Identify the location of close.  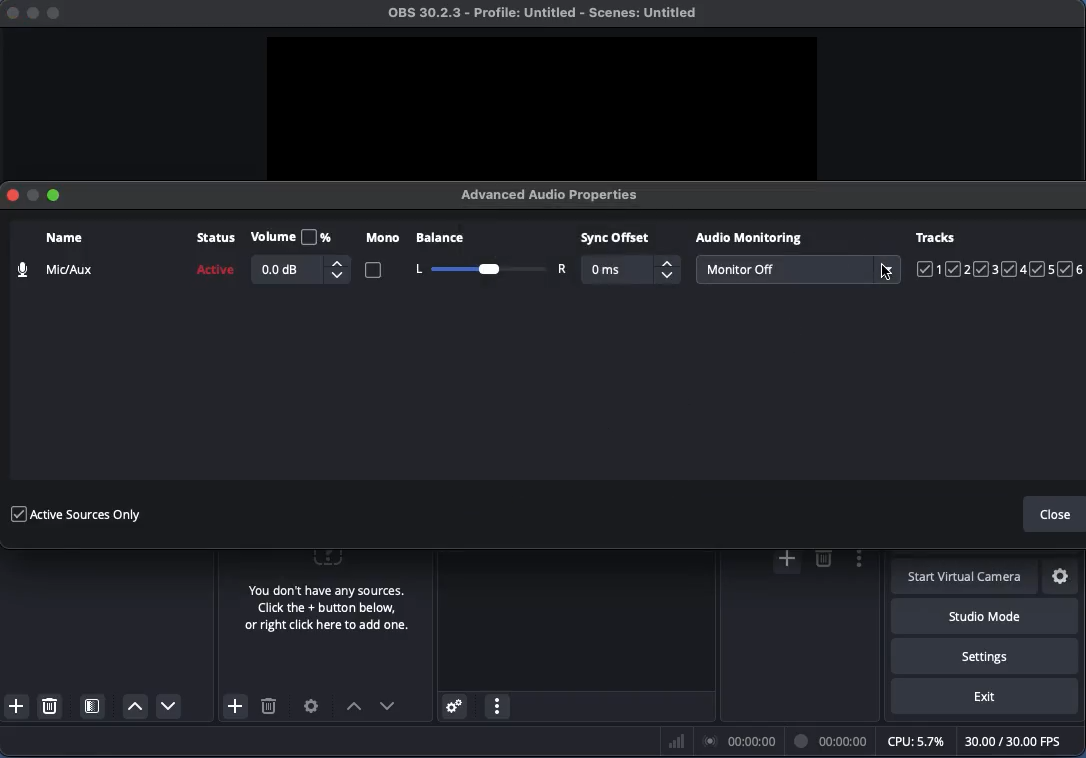
(8, 14).